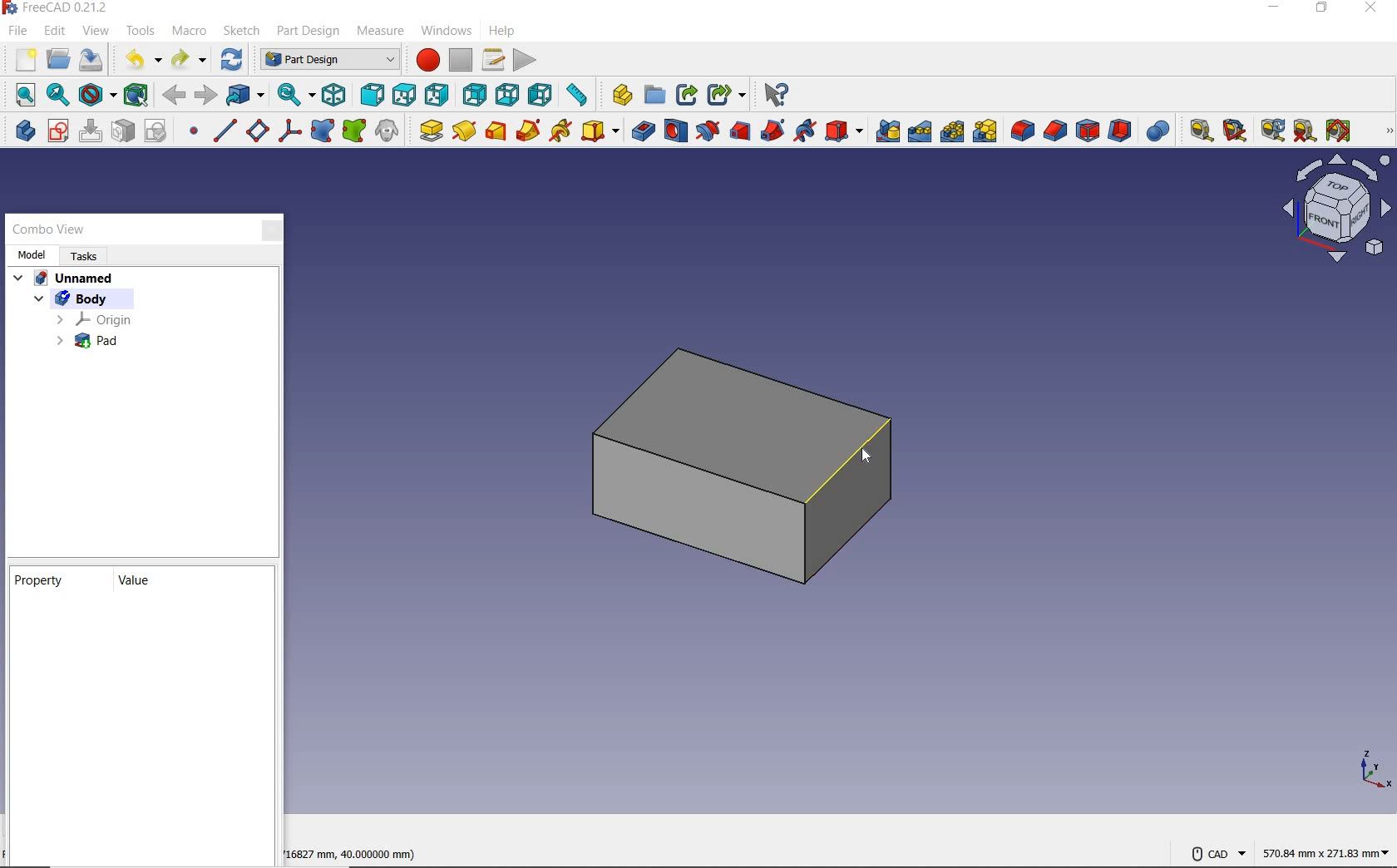 Image resolution: width=1397 pixels, height=868 pixels. What do you see at coordinates (136, 96) in the screenshot?
I see `bounding box` at bounding box center [136, 96].